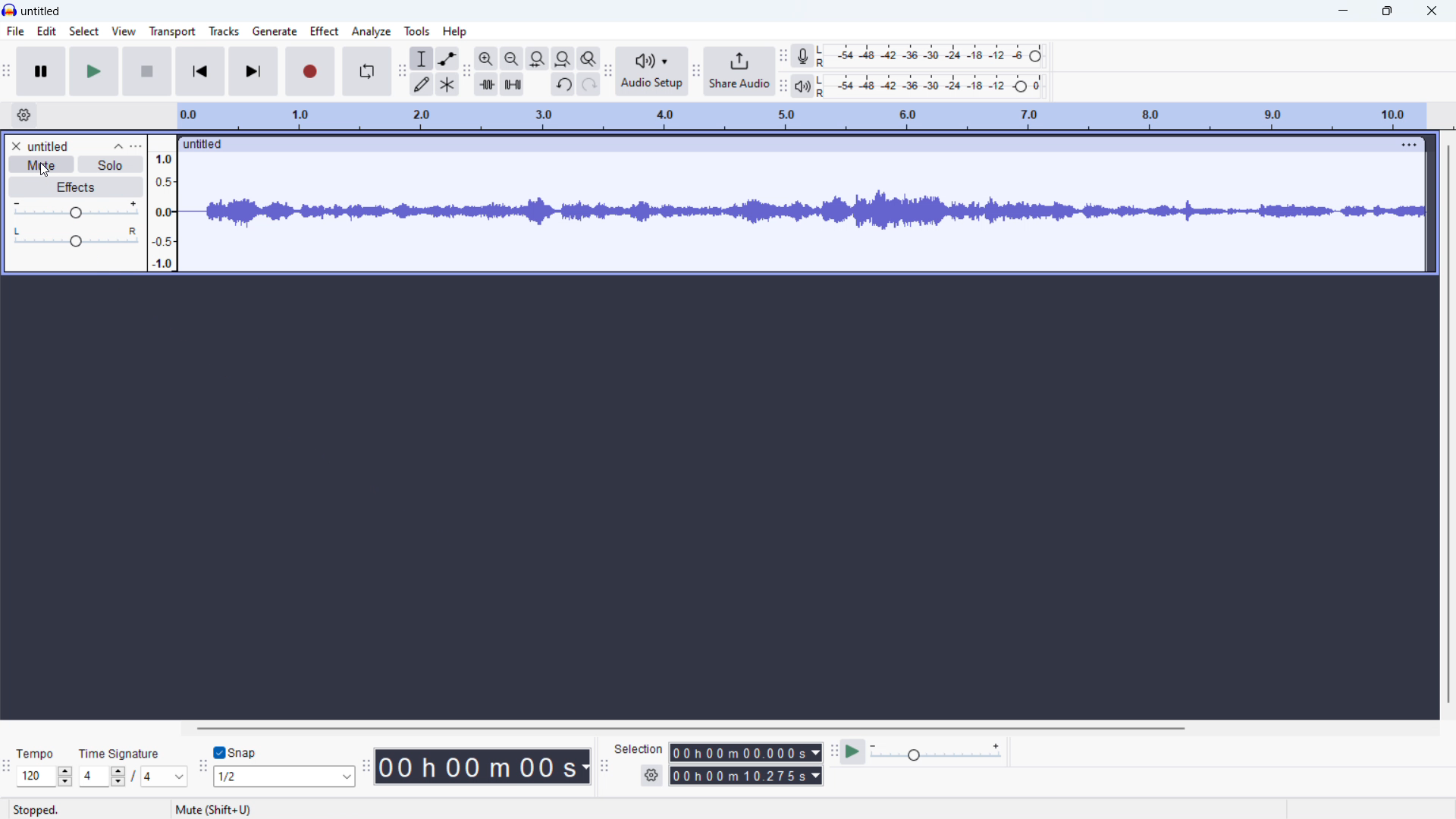 This screenshot has height=819, width=1456. What do you see at coordinates (372, 31) in the screenshot?
I see `analyze` at bounding box center [372, 31].